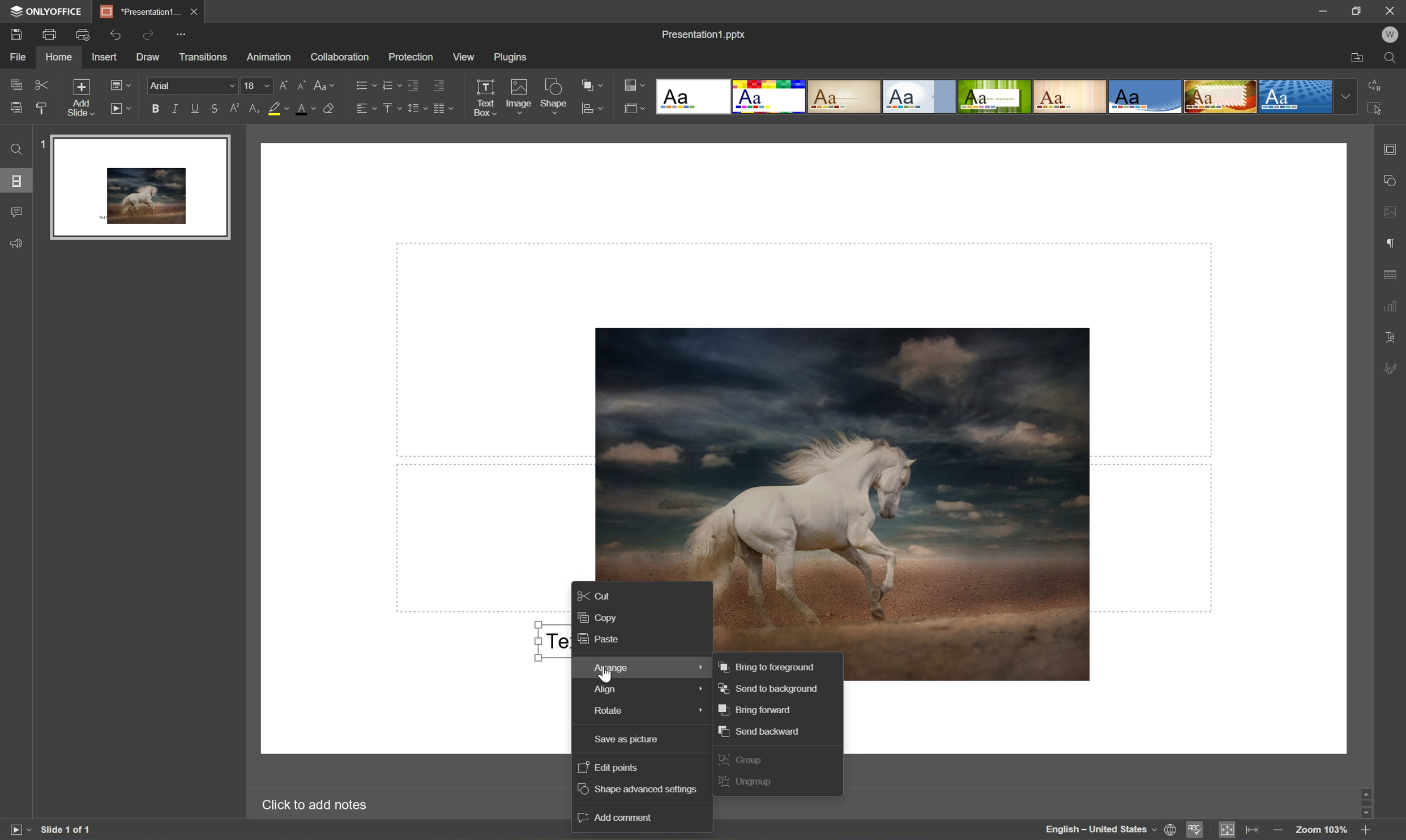  What do you see at coordinates (138, 11) in the screenshot?
I see `Presentation1...` at bounding box center [138, 11].